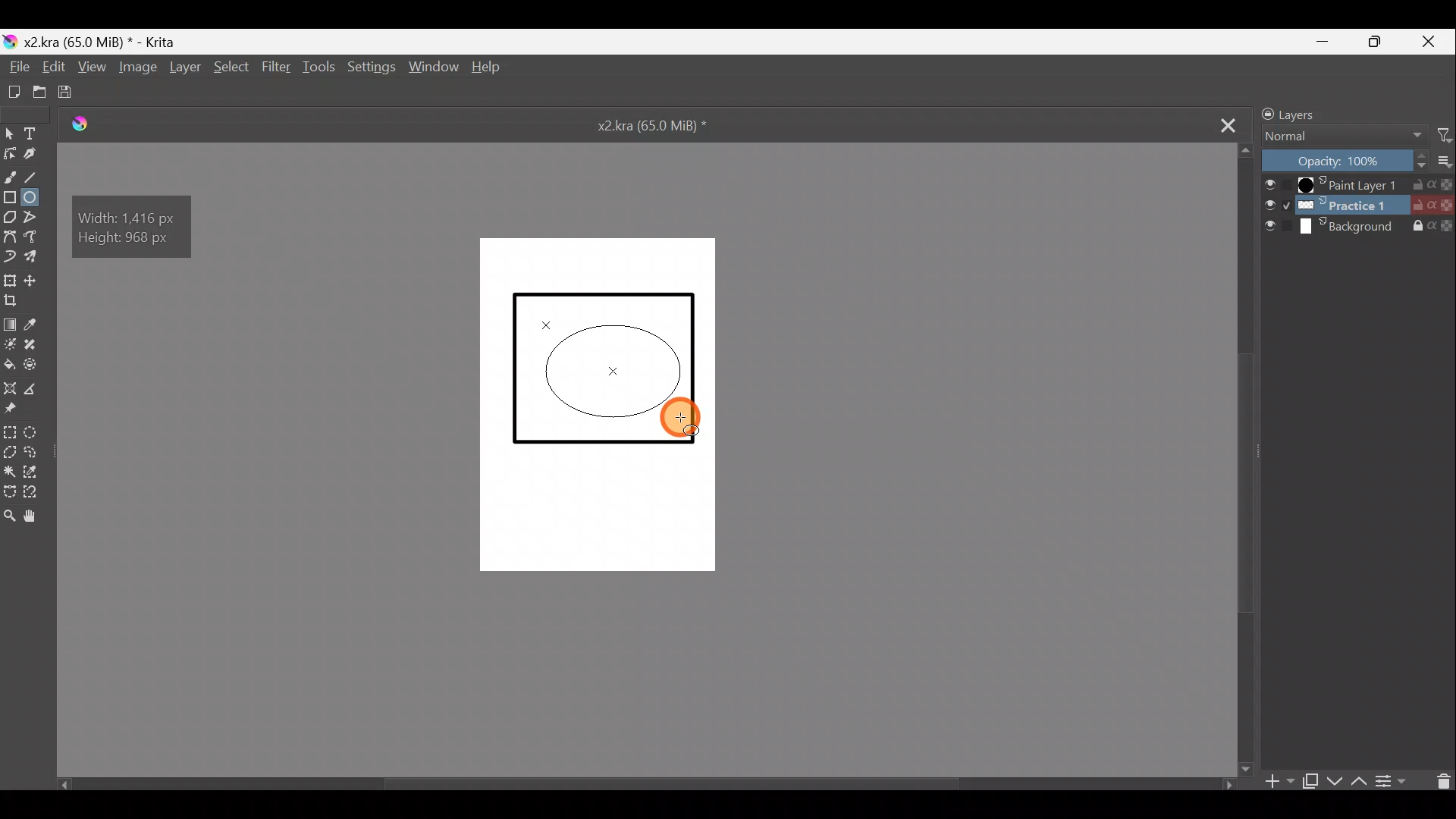 The image size is (1456, 819). What do you see at coordinates (35, 388) in the screenshot?
I see `Measure distance between two points` at bounding box center [35, 388].